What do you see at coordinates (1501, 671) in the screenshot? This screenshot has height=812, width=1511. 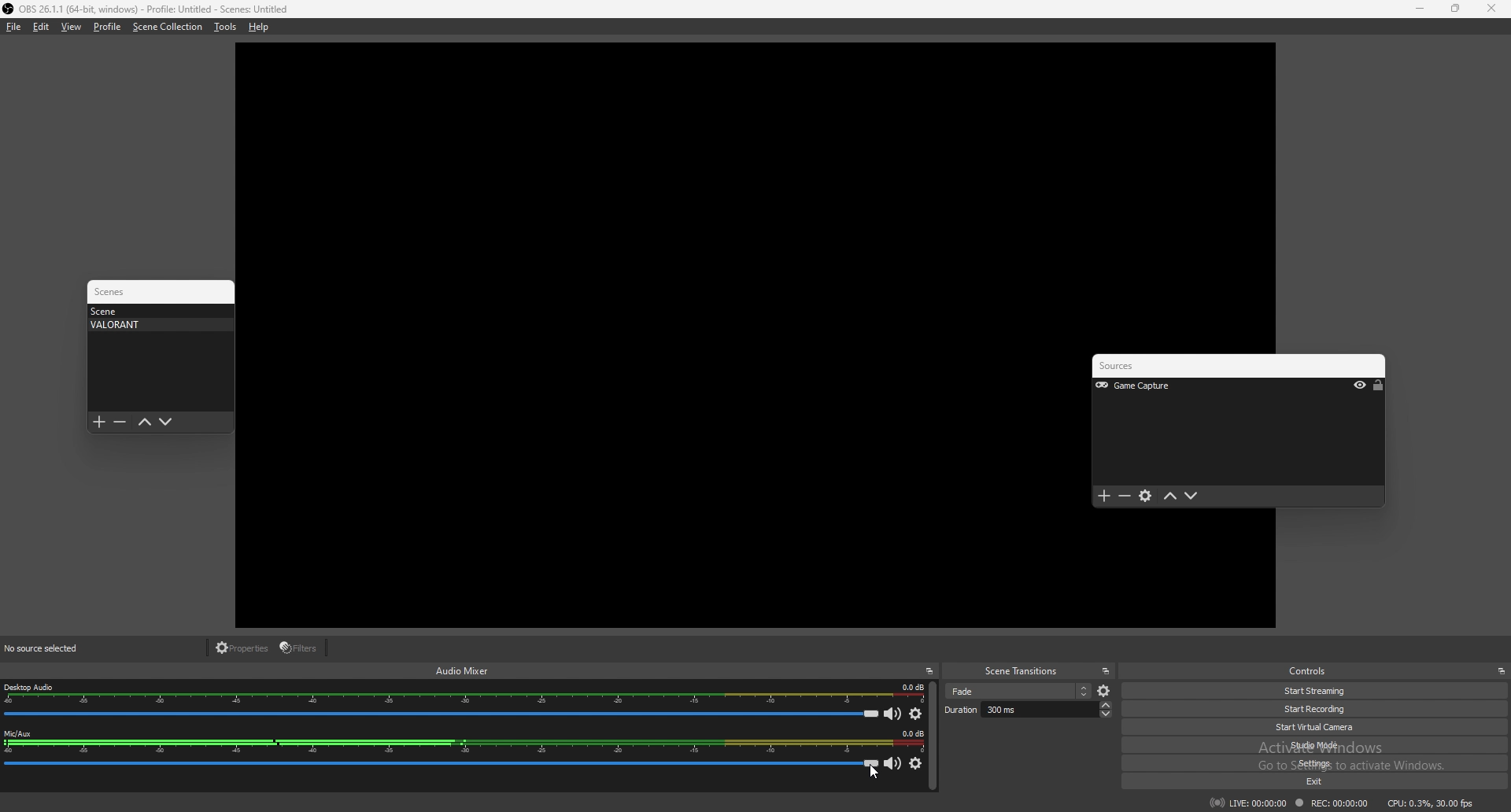 I see `pop out` at bounding box center [1501, 671].